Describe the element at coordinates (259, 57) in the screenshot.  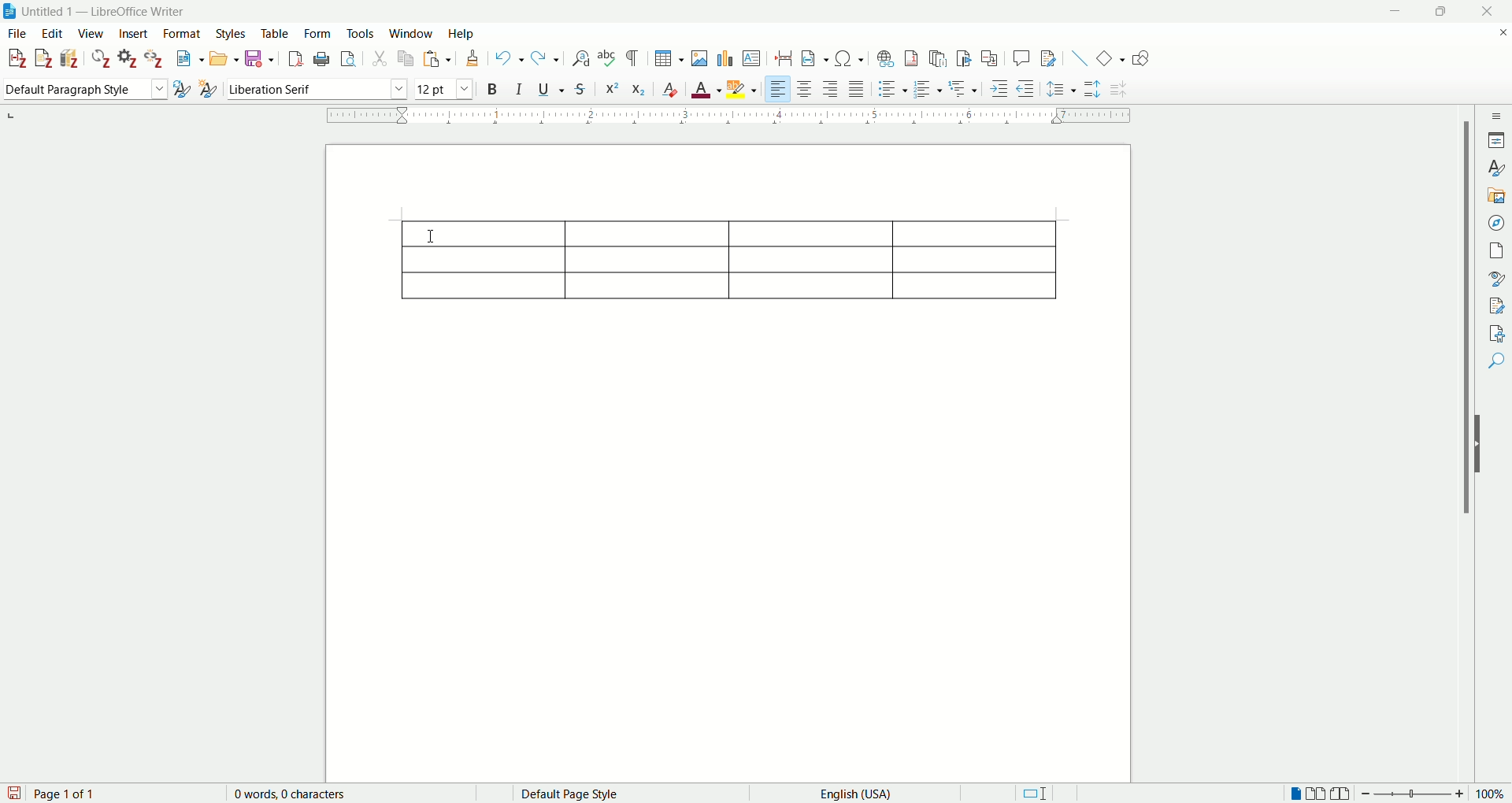
I see `save` at that location.